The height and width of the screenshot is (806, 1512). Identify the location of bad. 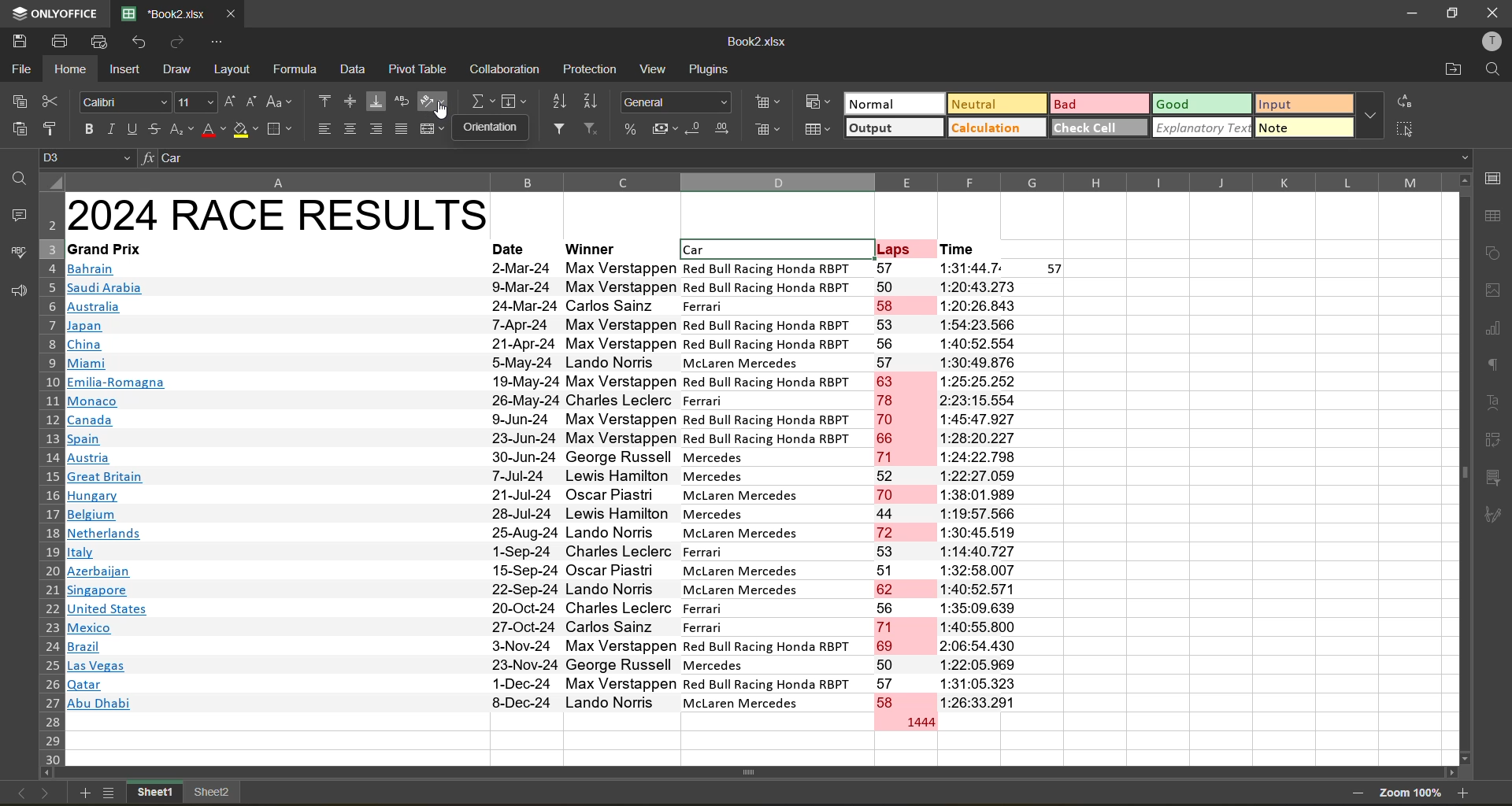
(1101, 103).